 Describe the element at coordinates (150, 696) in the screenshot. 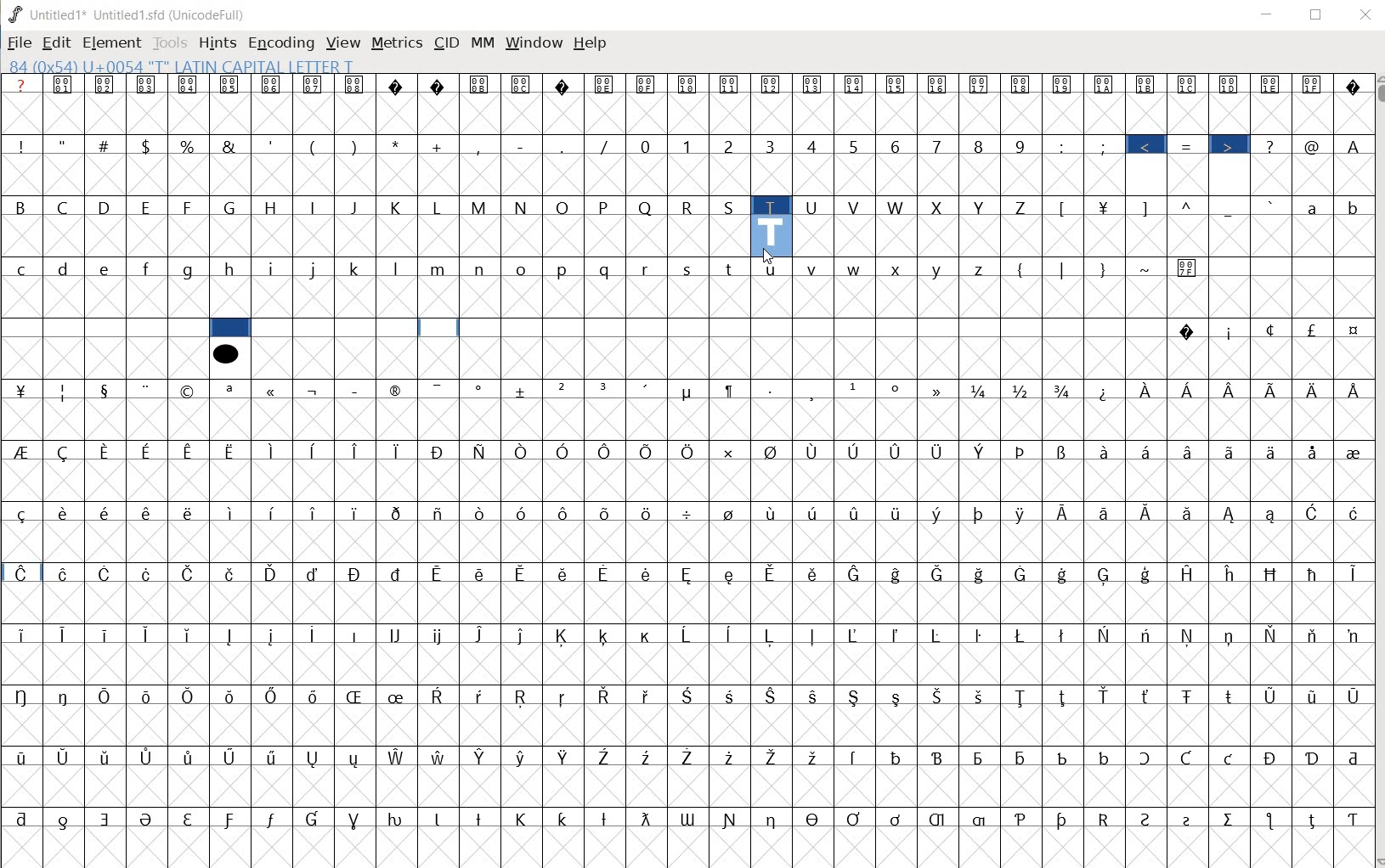

I see `Symbol` at that location.